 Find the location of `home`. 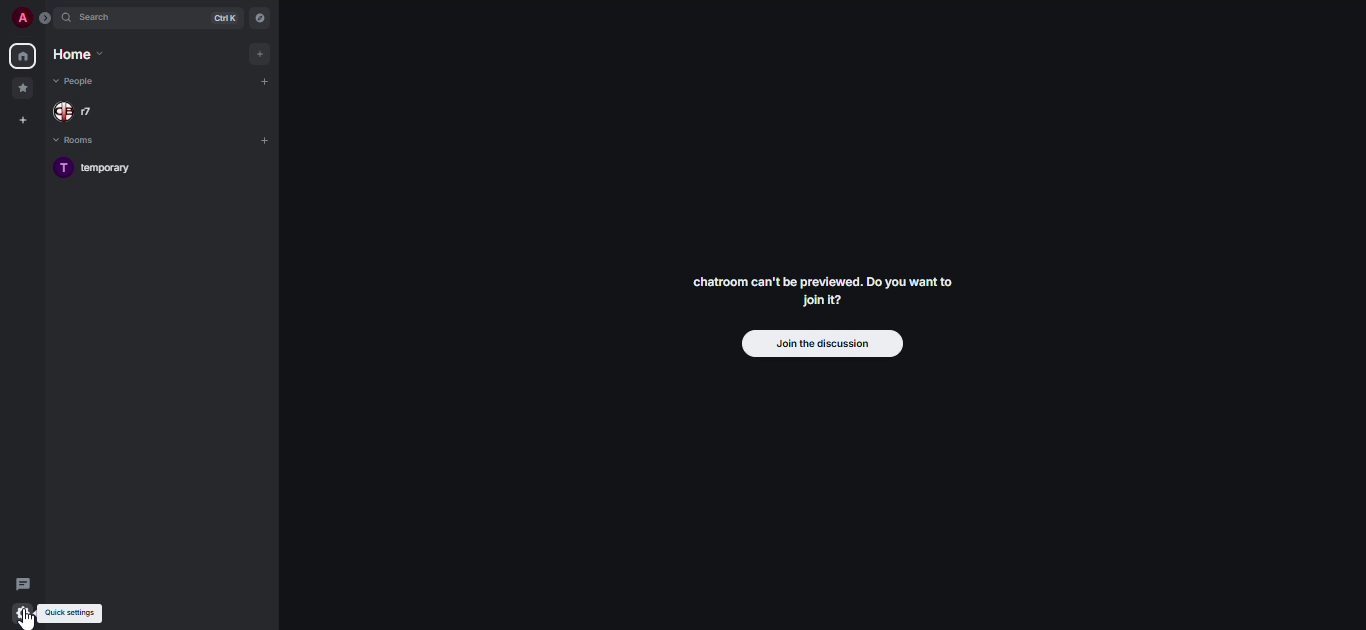

home is located at coordinates (73, 57).